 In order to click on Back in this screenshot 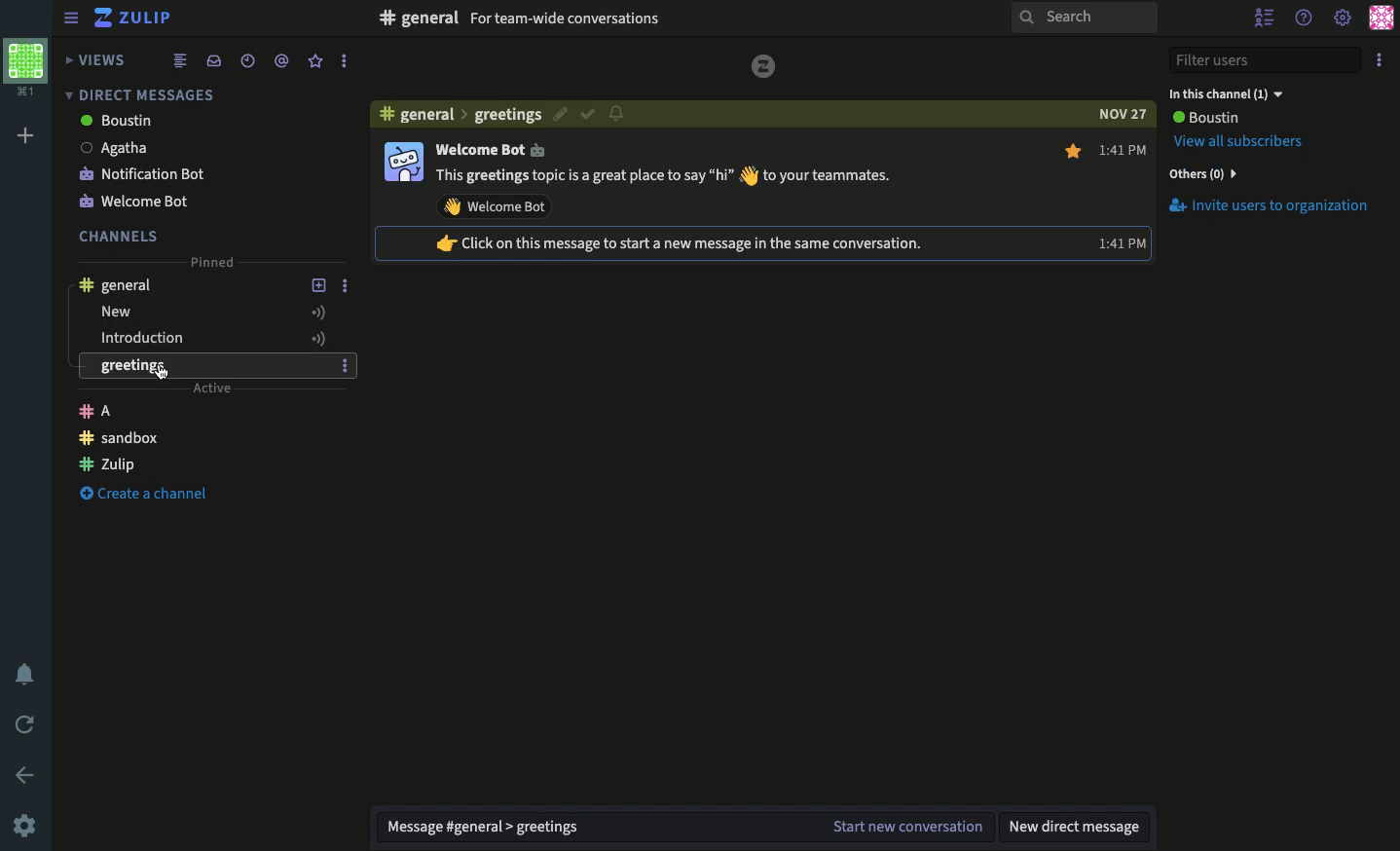, I will do `click(27, 775)`.